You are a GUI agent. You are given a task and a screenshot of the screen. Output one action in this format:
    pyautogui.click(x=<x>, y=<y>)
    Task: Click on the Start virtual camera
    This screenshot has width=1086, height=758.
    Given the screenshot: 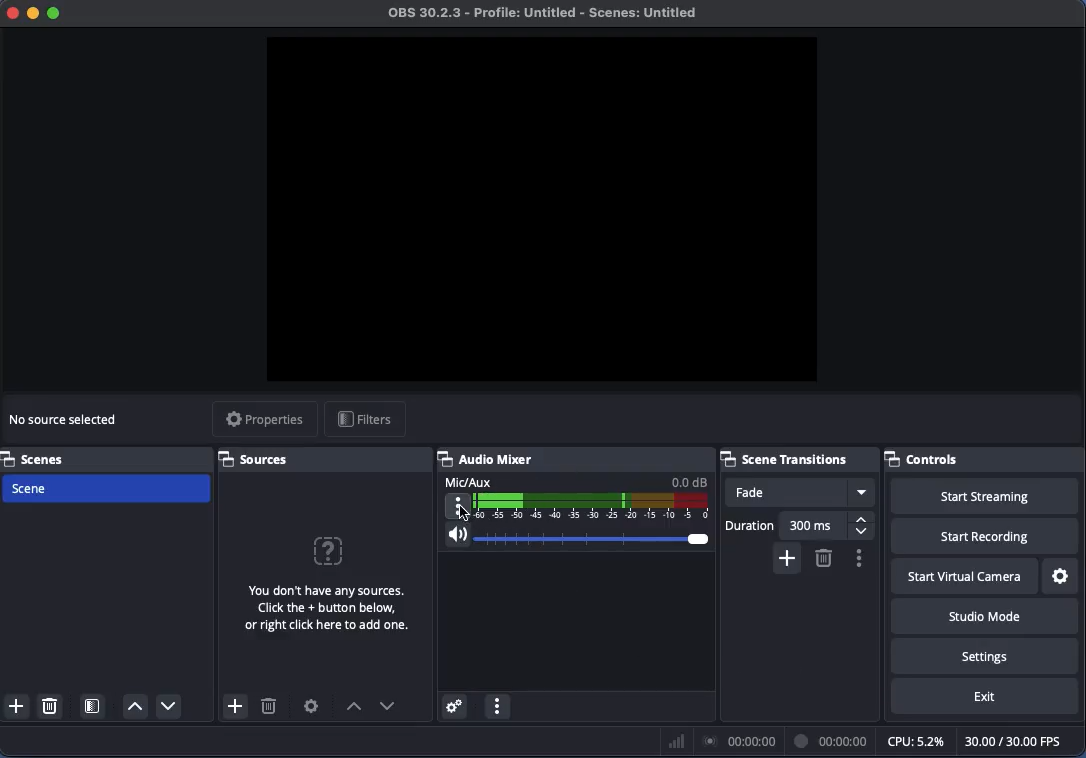 What is the action you would take?
    pyautogui.click(x=966, y=578)
    